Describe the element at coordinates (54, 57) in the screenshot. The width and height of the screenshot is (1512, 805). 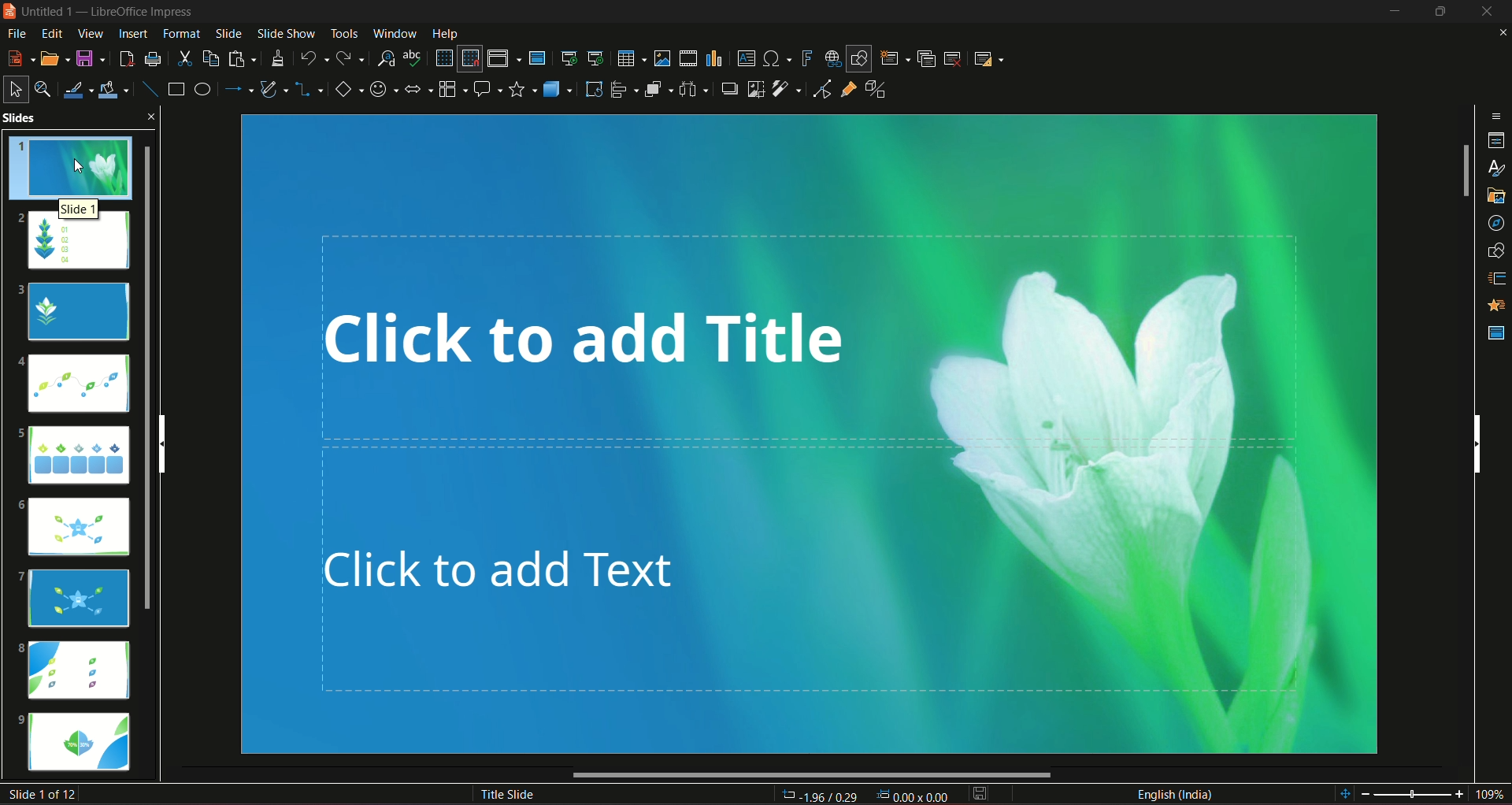
I see `open` at that location.